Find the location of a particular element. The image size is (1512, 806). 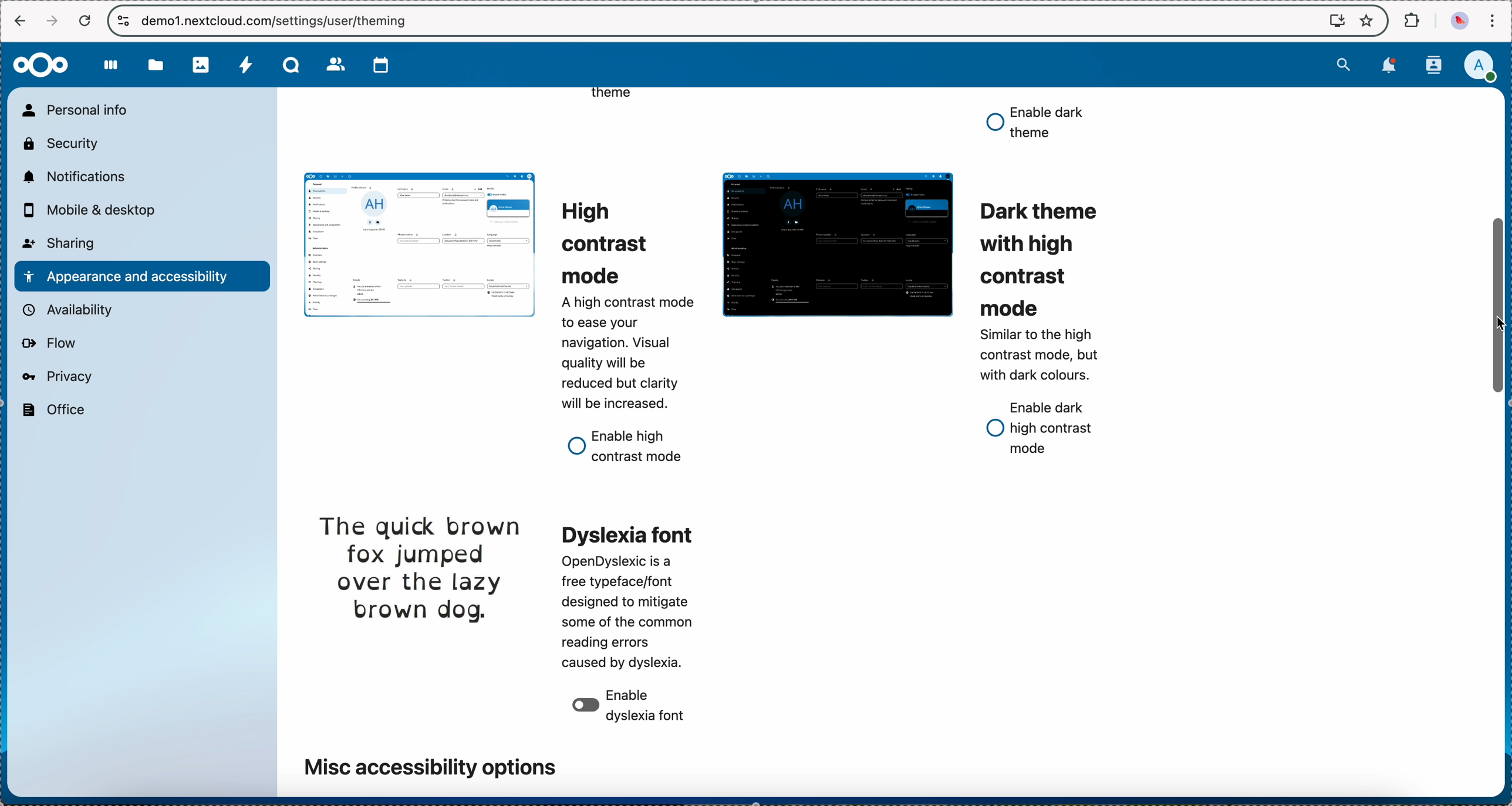

mobile and desktop is located at coordinates (95, 209).